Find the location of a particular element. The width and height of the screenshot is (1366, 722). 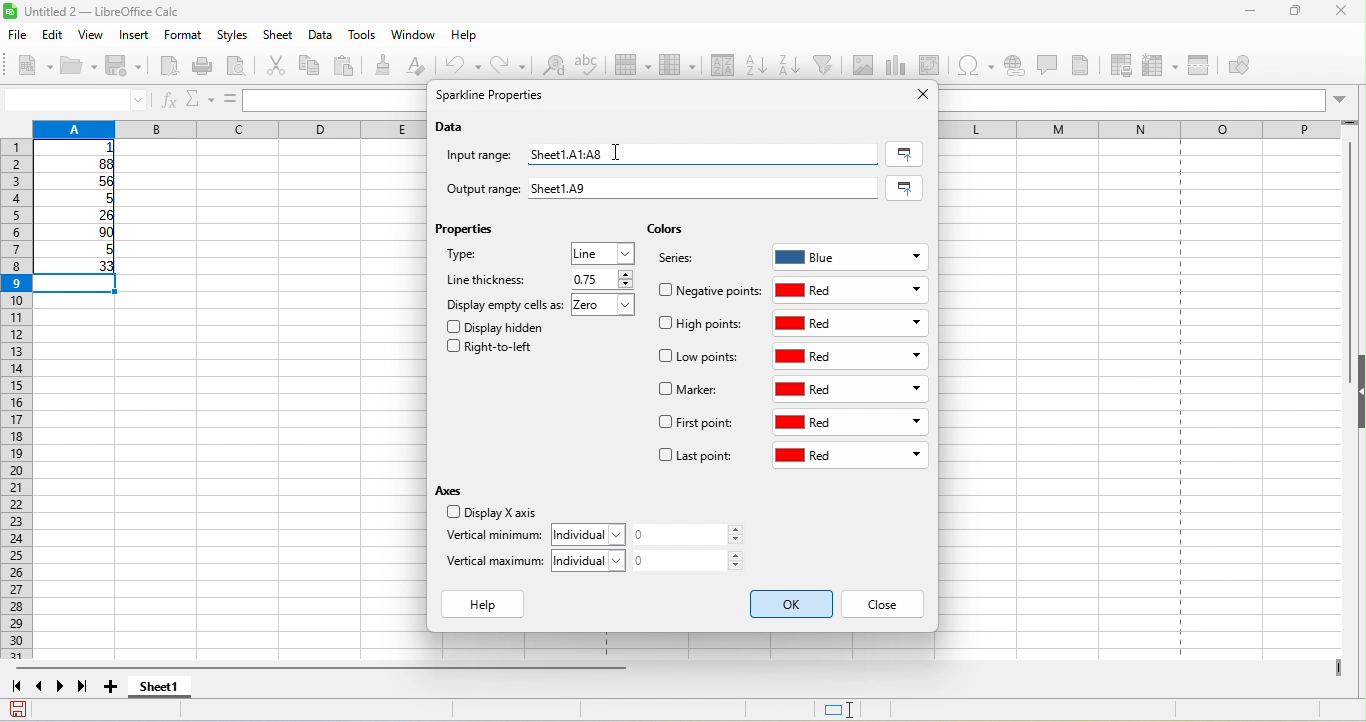

0.75 is located at coordinates (600, 279).